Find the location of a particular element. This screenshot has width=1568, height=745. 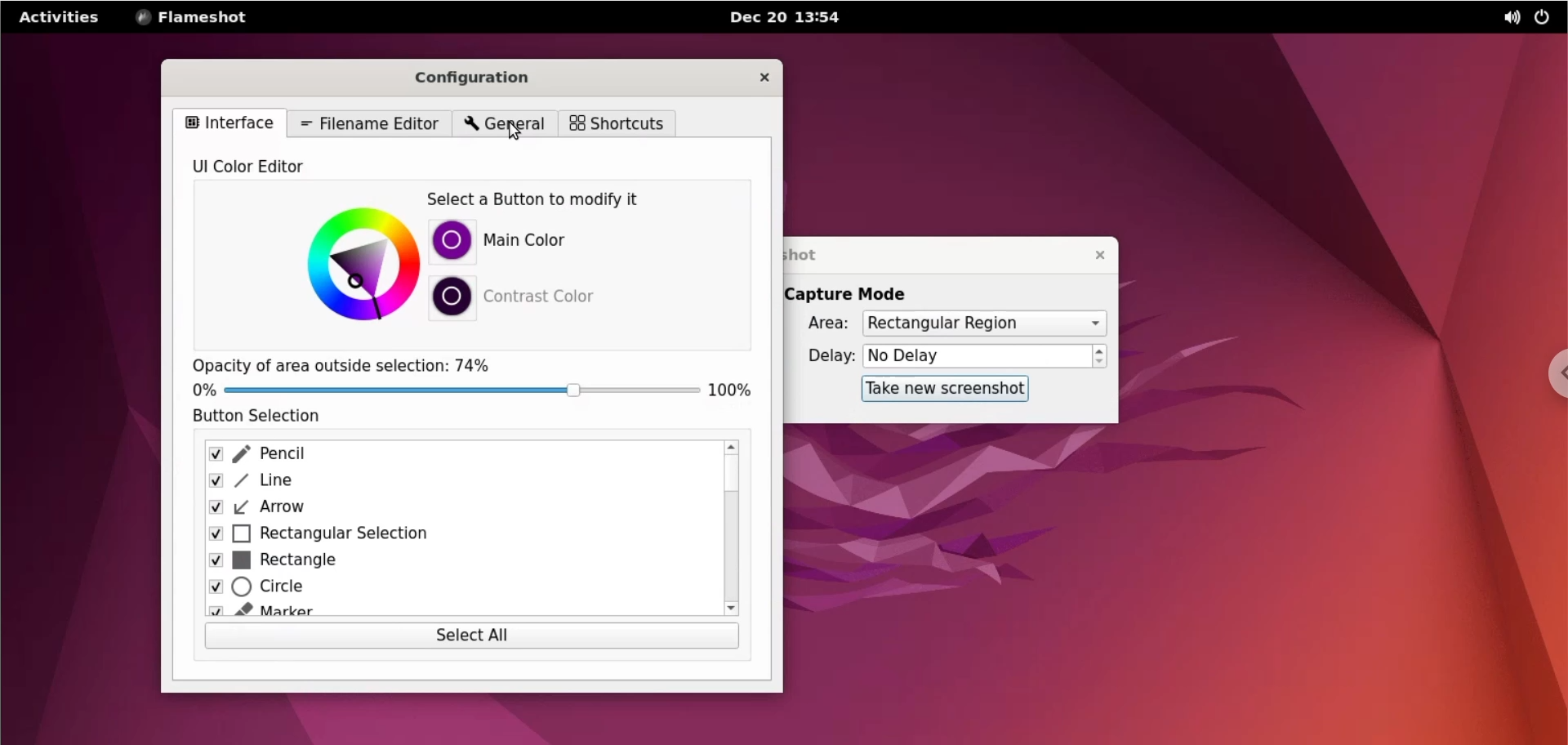

area: is located at coordinates (822, 322).